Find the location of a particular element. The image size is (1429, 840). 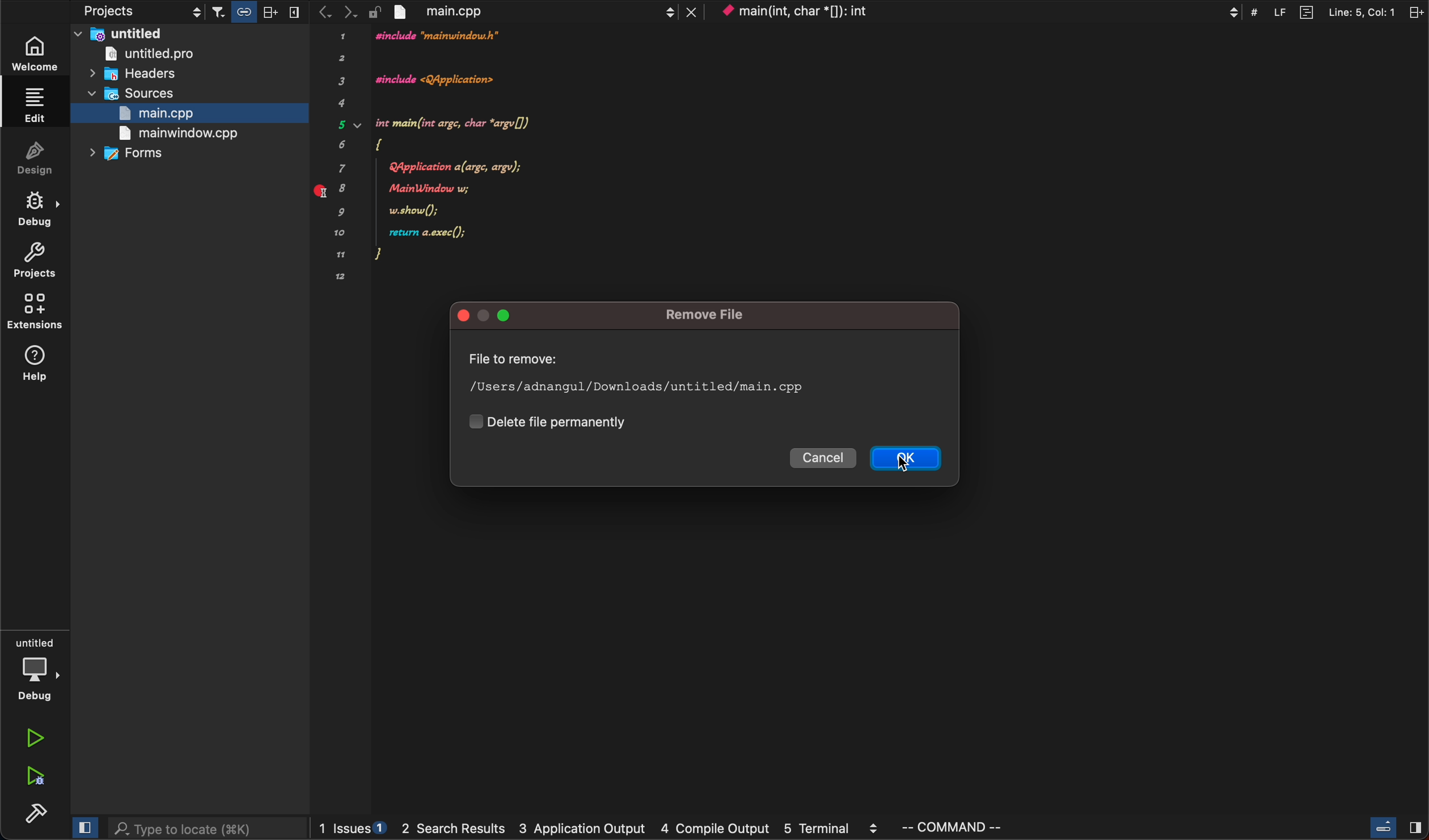

main world>cpp is located at coordinates (173, 133).